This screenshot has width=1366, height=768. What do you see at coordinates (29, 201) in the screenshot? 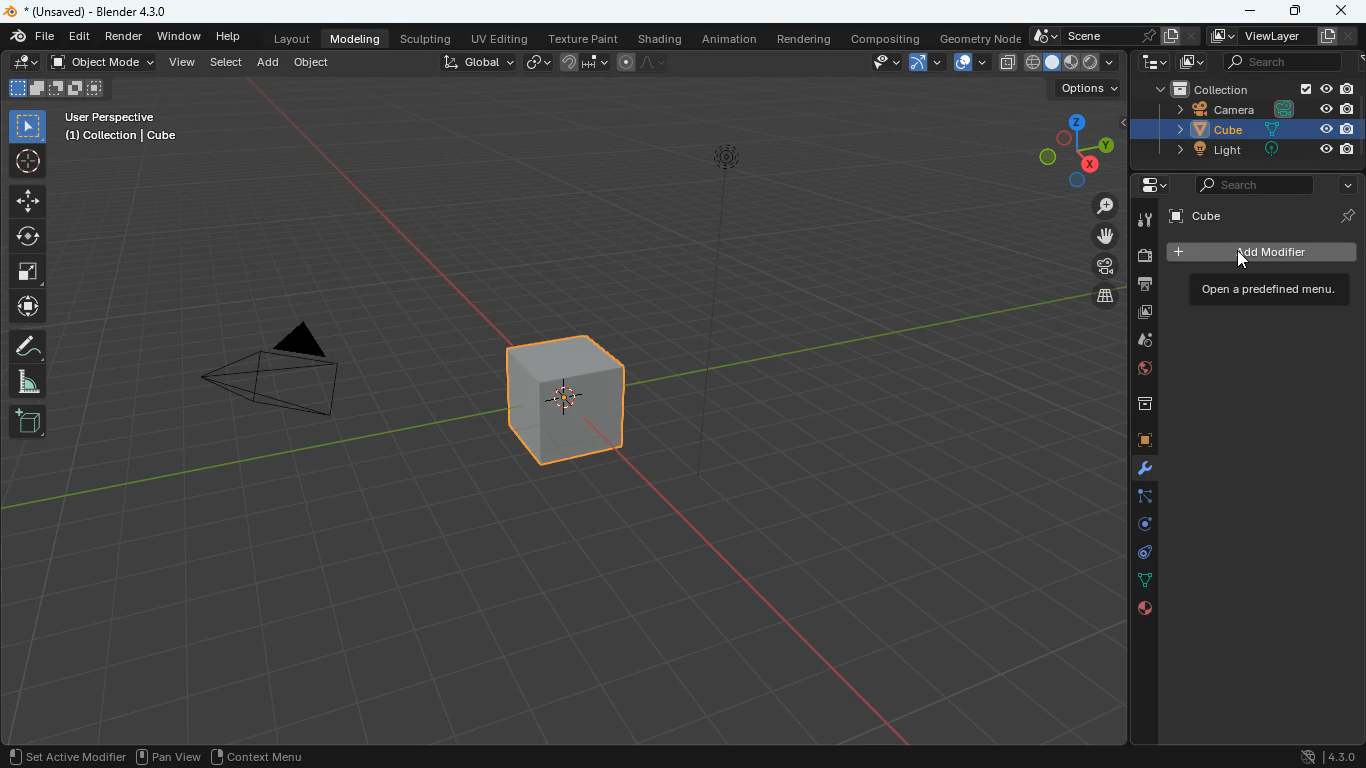
I see `move` at bounding box center [29, 201].